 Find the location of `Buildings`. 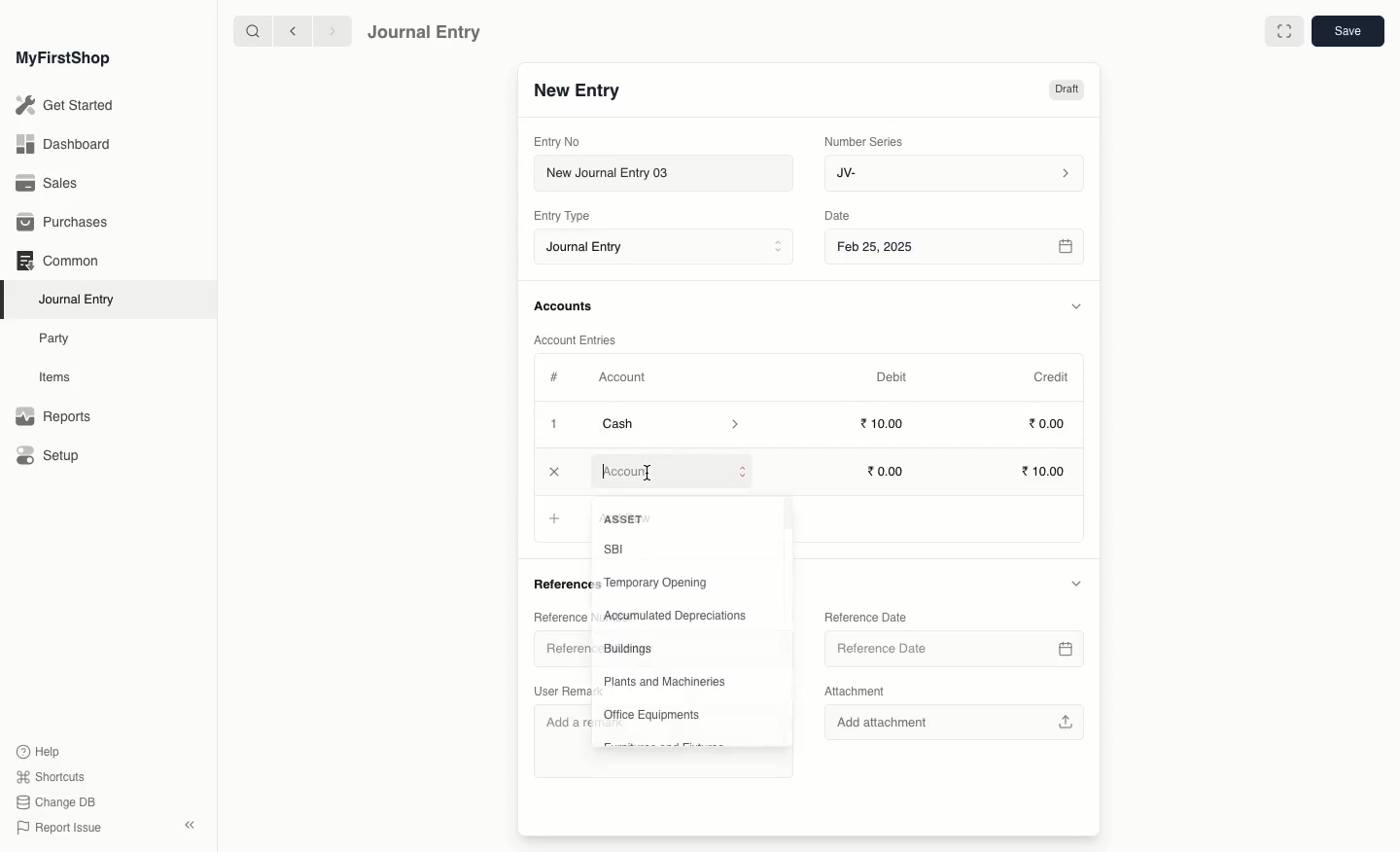

Buildings is located at coordinates (629, 650).